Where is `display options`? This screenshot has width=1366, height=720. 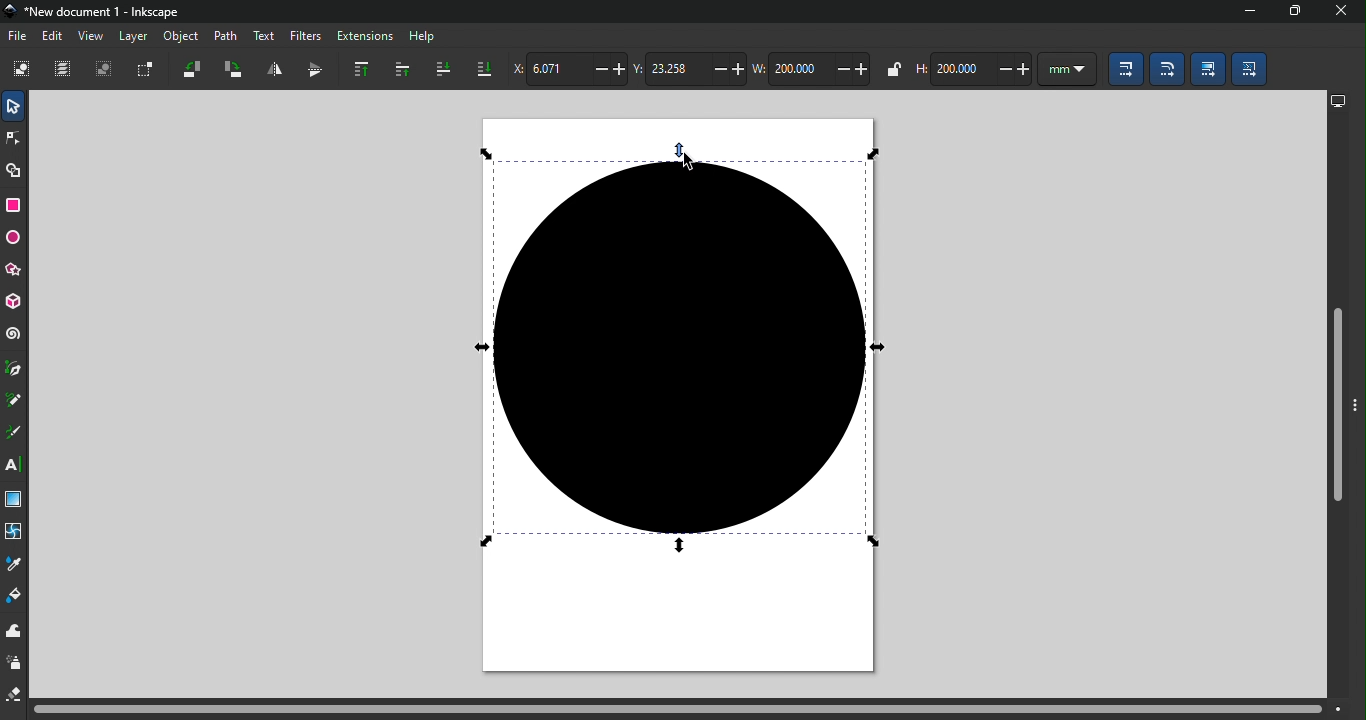 display options is located at coordinates (1337, 98).